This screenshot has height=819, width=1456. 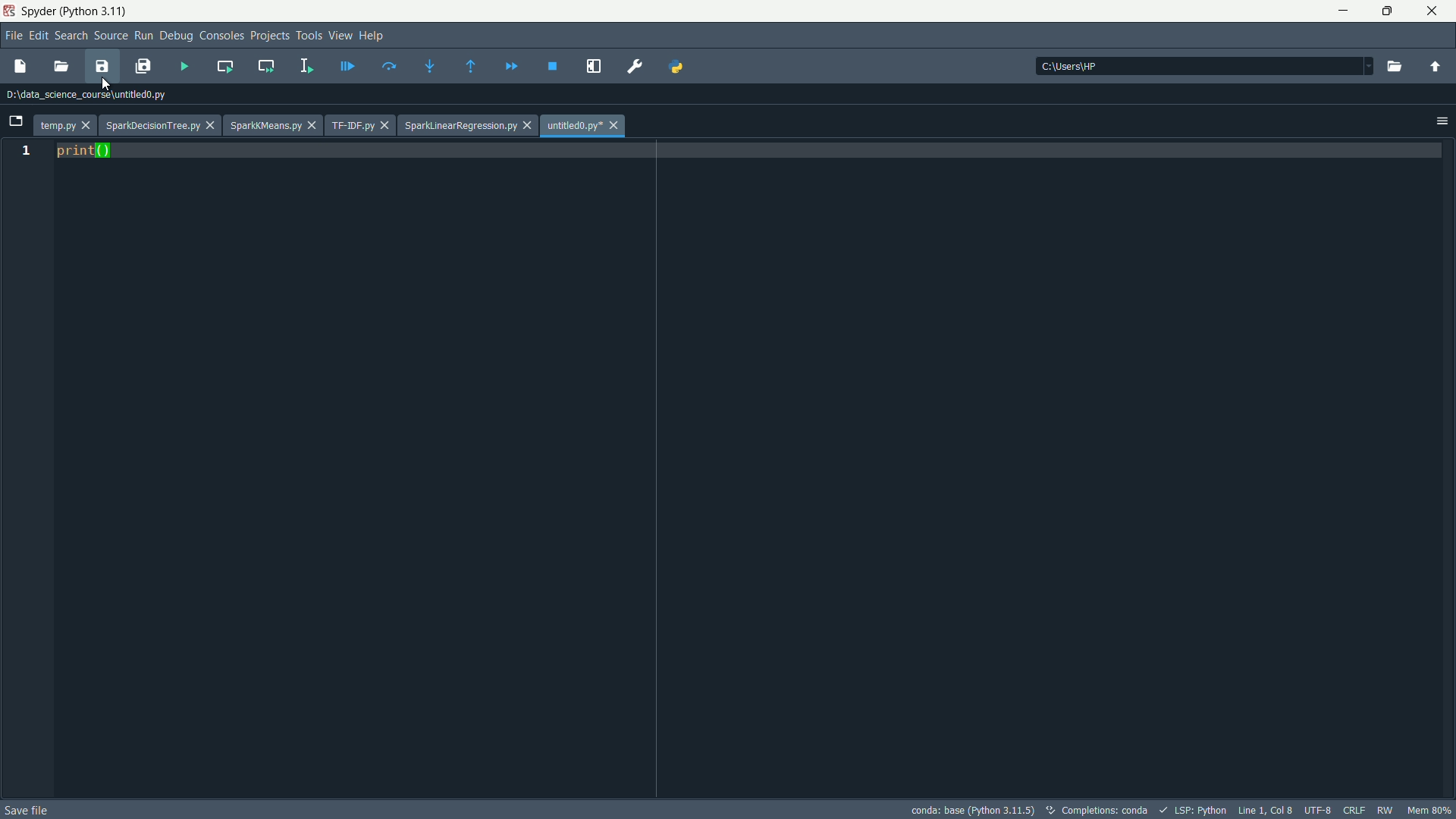 I want to click on run selection or current line, so click(x=305, y=67).